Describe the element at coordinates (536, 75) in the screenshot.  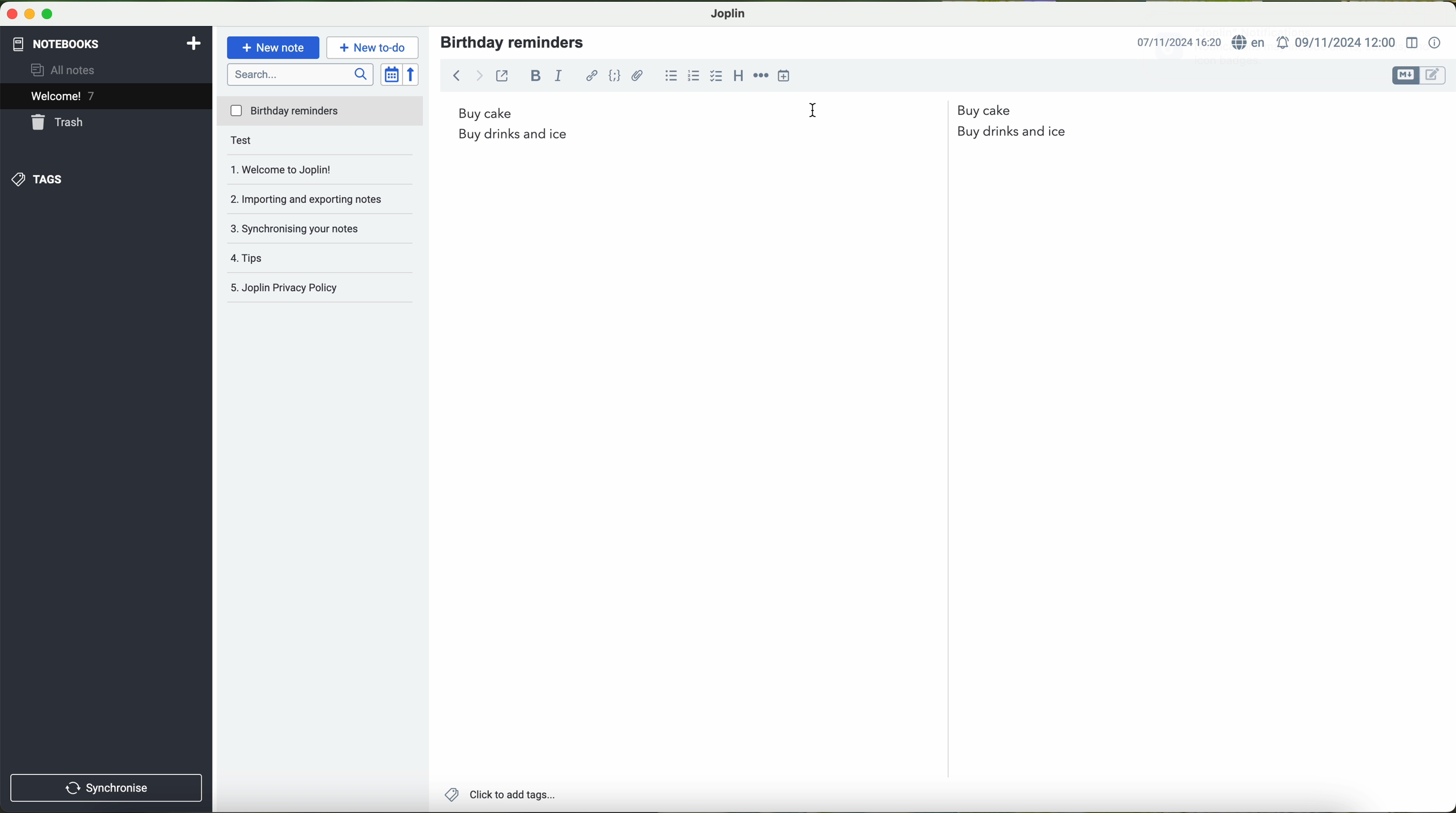
I see `bold` at that location.